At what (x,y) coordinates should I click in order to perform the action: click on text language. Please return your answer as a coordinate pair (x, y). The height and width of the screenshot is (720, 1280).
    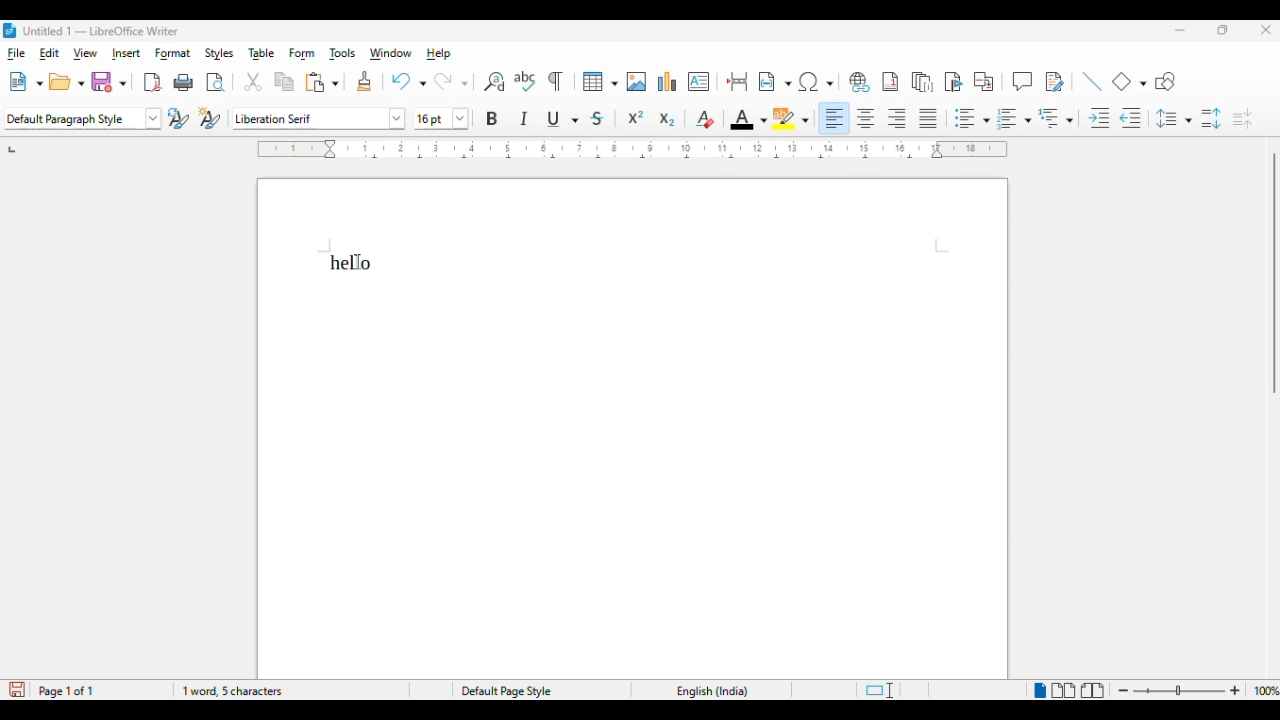
    Looking at the image, I should click on (714, 692).